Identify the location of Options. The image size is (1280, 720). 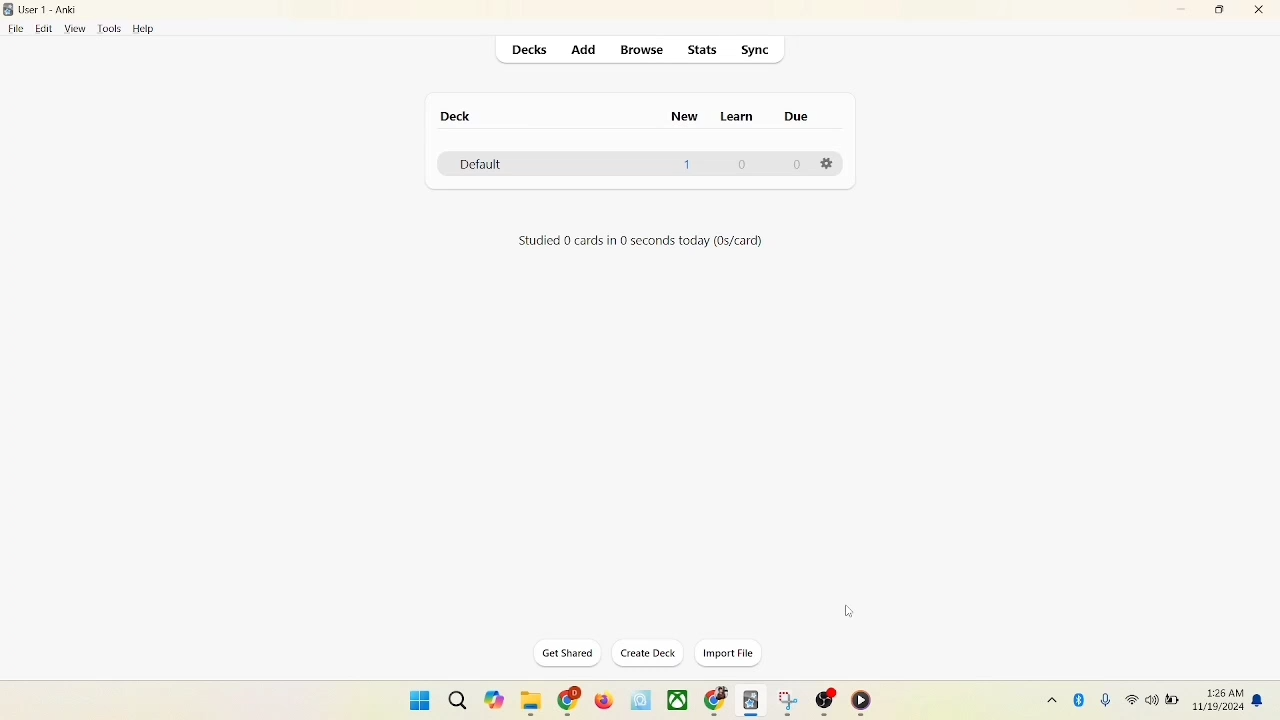
(829, 165).